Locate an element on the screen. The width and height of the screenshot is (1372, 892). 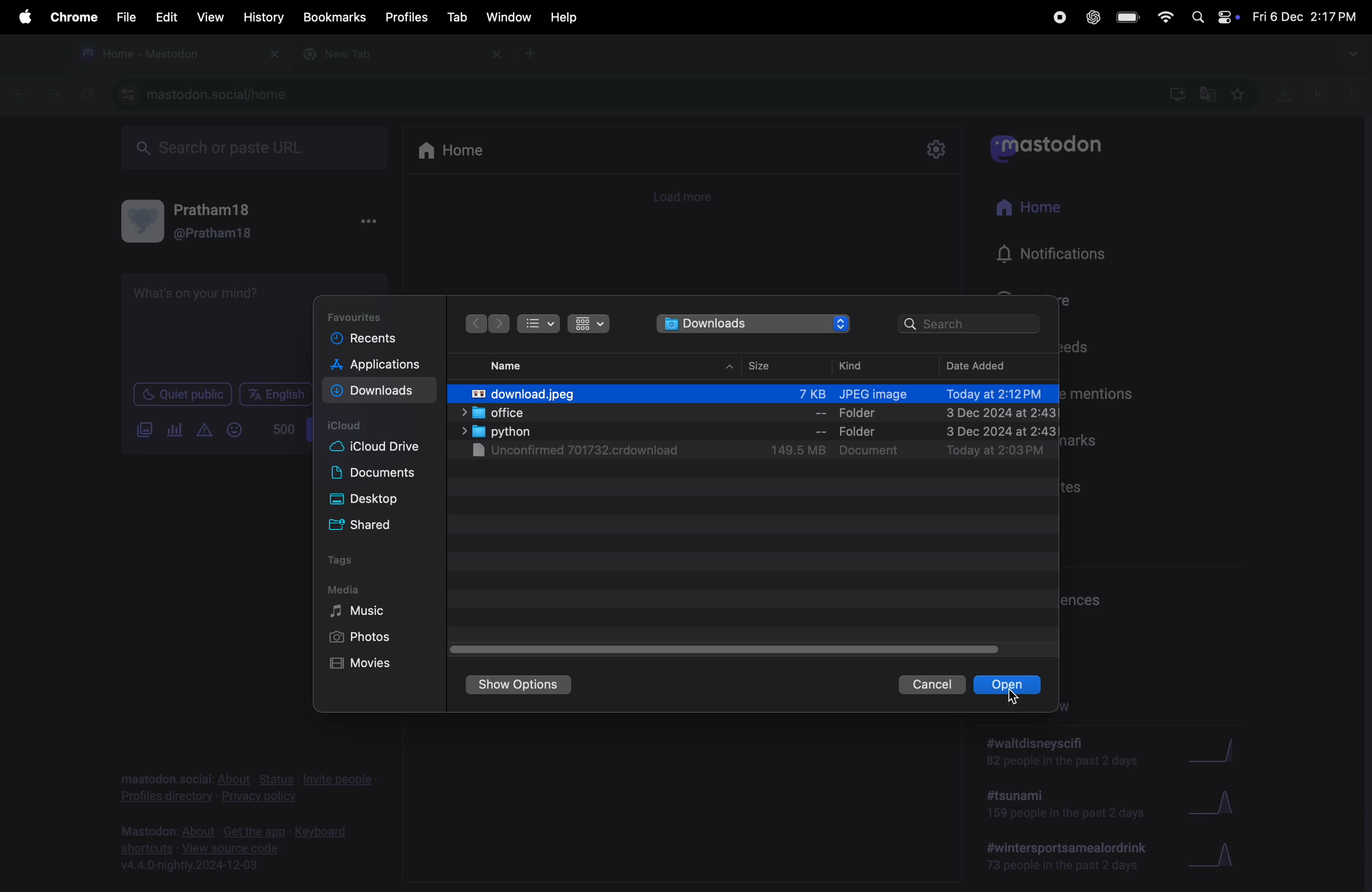
profiles is located at coordinates (406, 17).